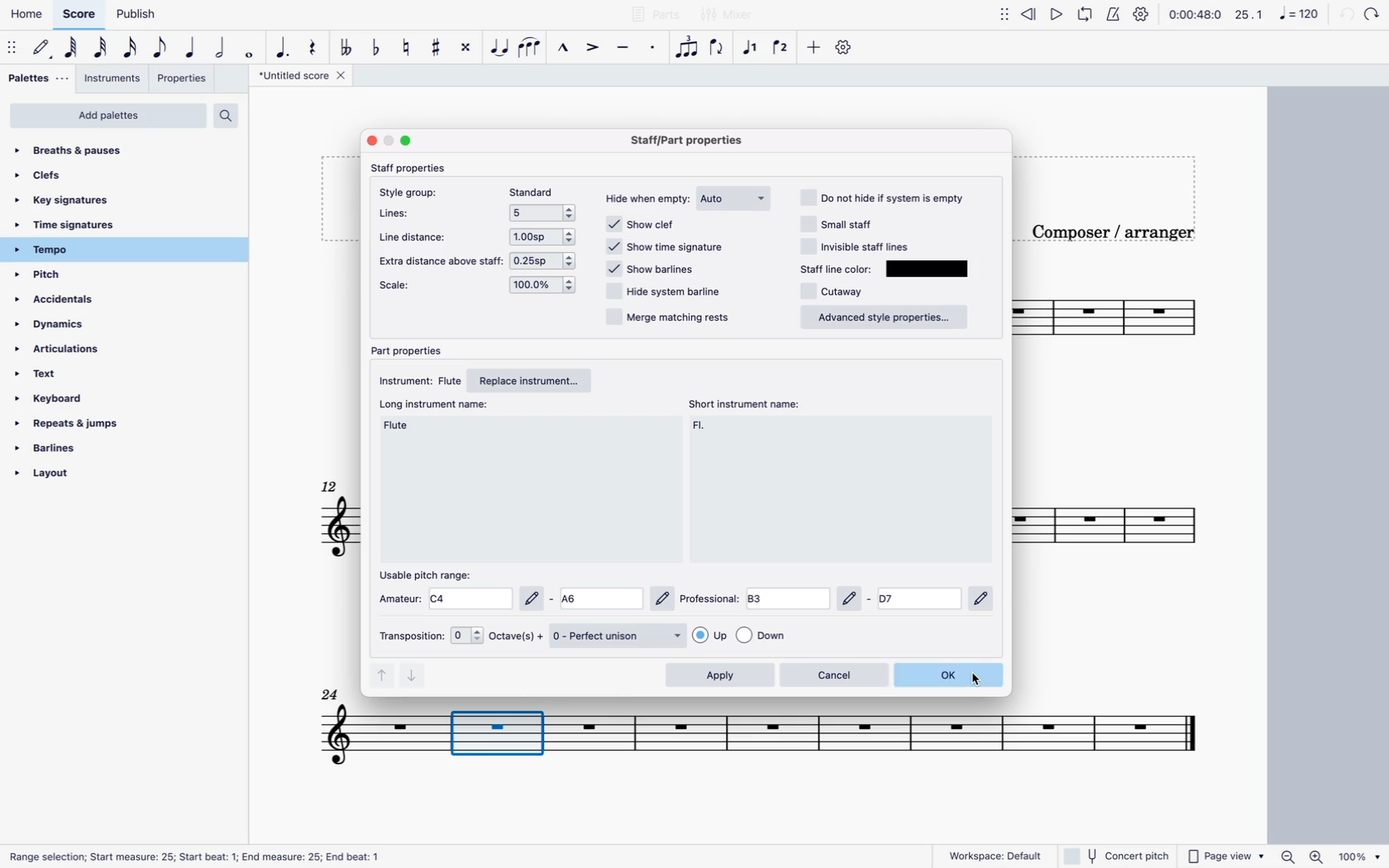 This screenshot has height=868, width=1389. What do you see at coordinates (408, 141) in the screenshot?
I see `maximize` at bounding box center [408, 141].